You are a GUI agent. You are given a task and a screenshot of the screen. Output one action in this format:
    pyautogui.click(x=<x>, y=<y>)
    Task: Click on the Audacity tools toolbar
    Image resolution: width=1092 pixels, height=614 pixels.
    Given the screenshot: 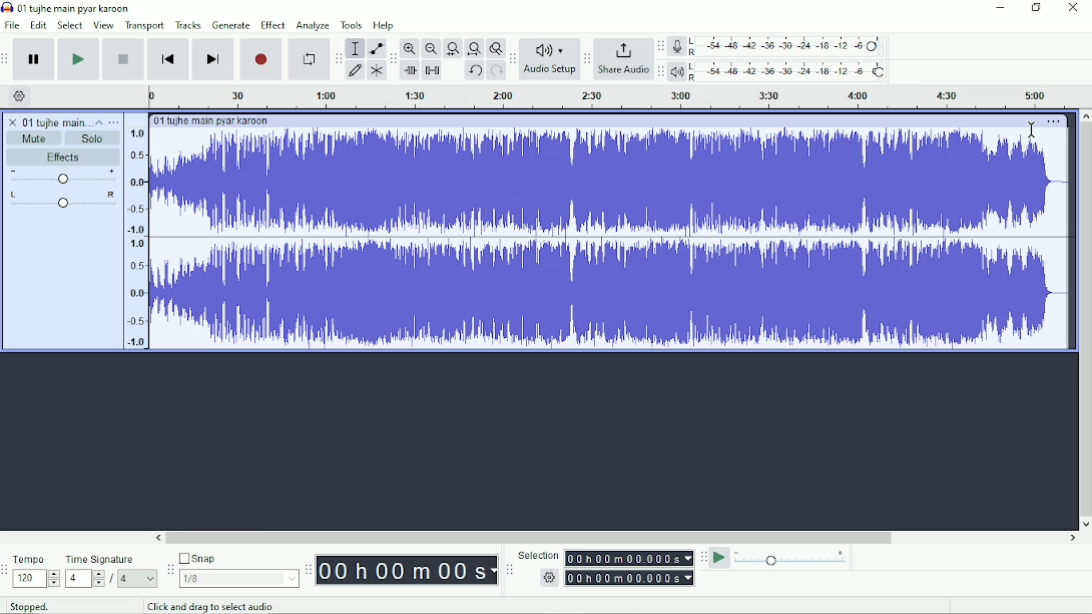 What is the action you would take?
    pyautogui.click(x=338, y=58)
    